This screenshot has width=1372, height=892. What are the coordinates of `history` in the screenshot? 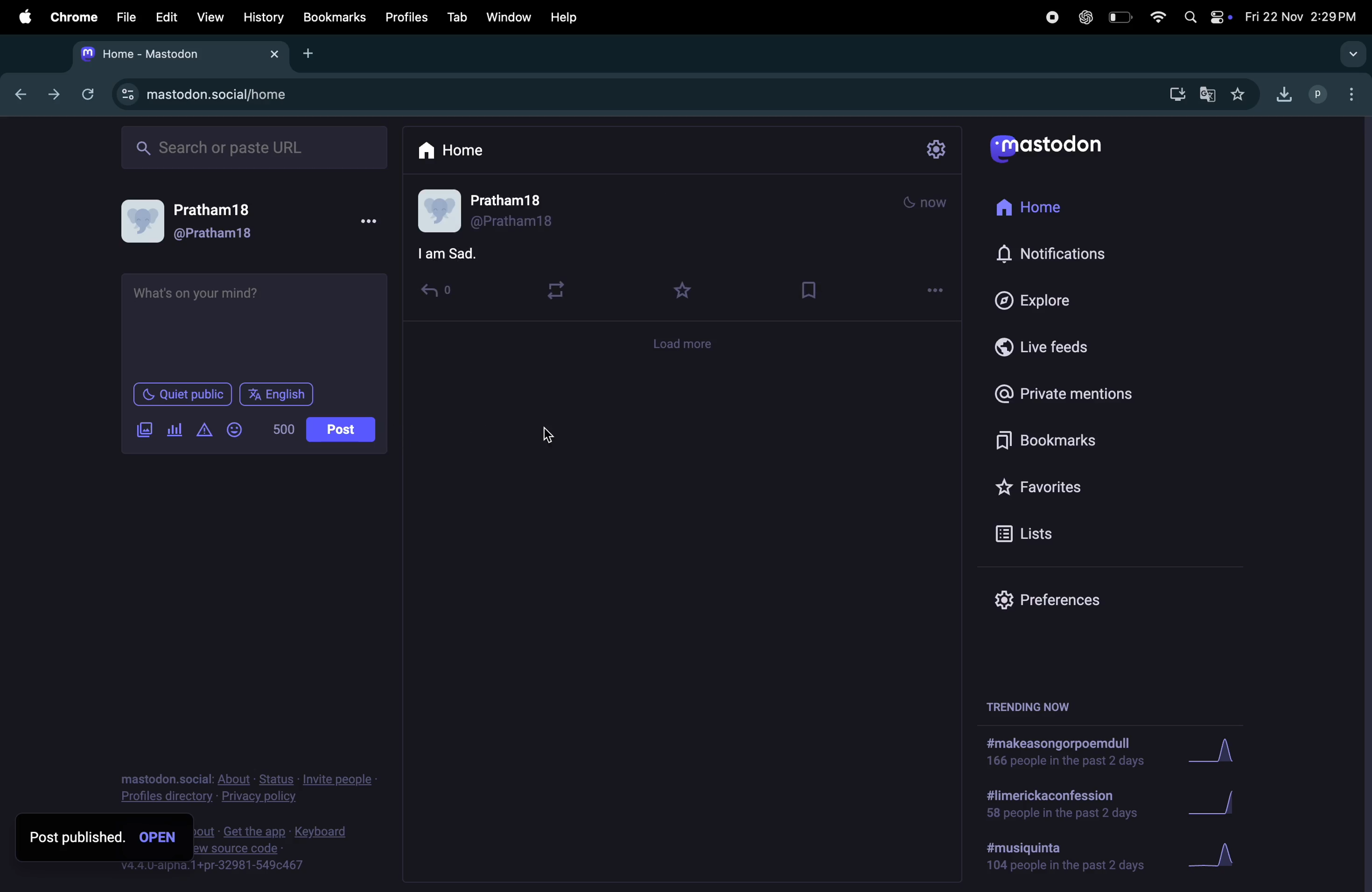 It's located at (263, 16).